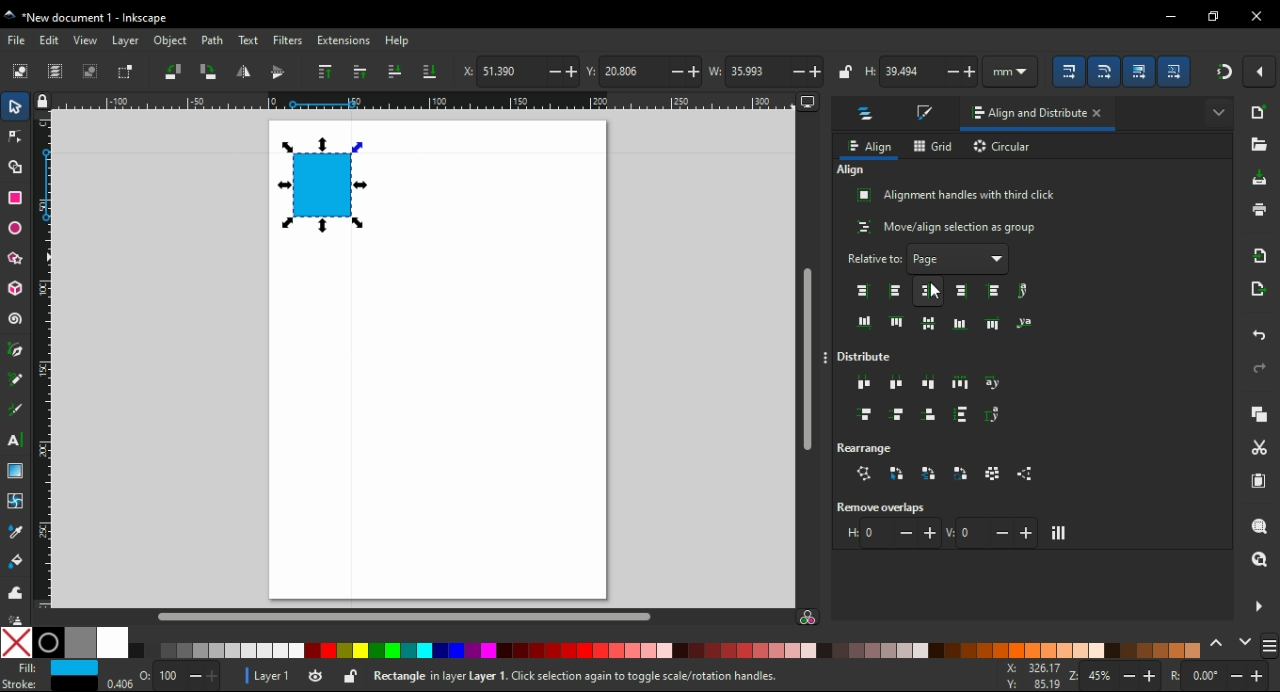 The image size is (1280, 692). I want to click on paste, so click(1261, 481).